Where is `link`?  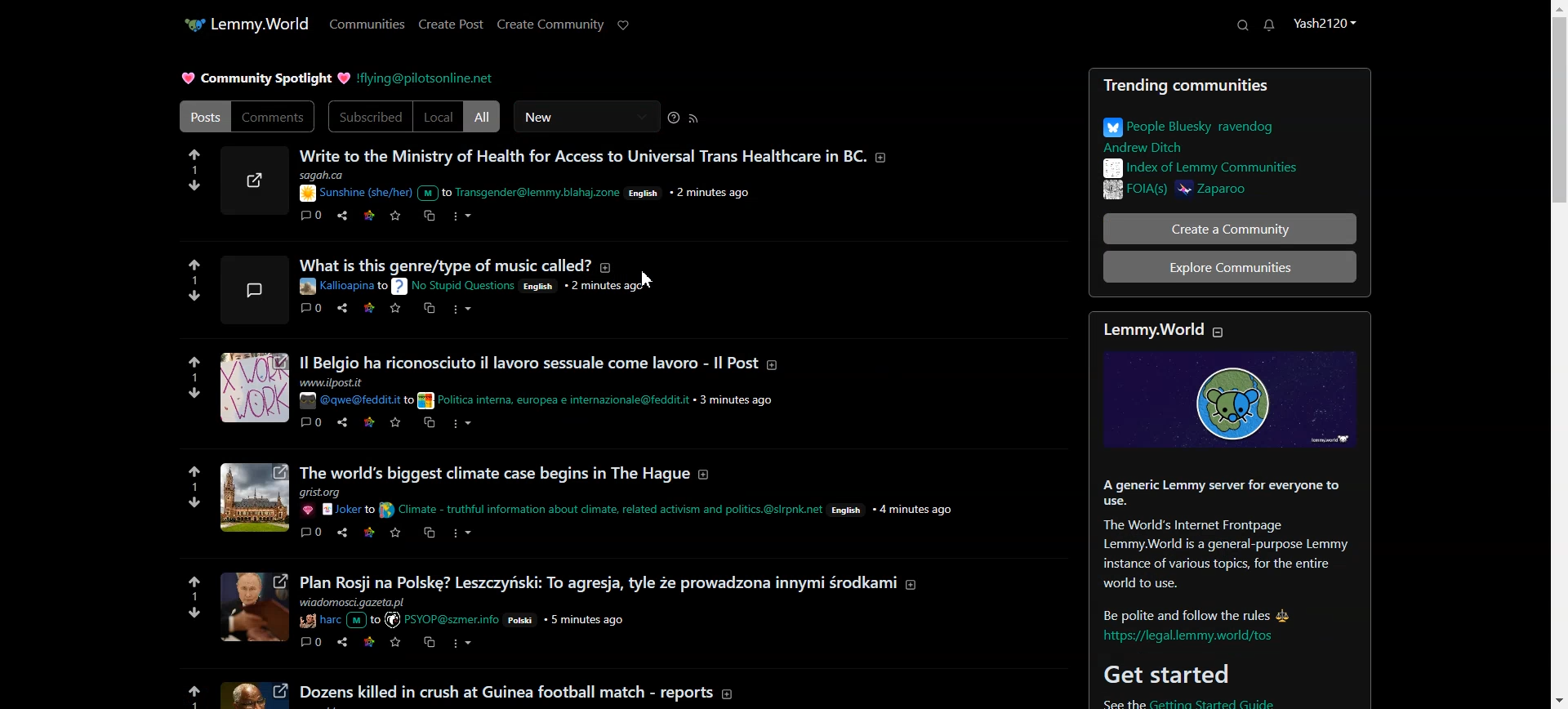 link is located at coordinates (372, 424).